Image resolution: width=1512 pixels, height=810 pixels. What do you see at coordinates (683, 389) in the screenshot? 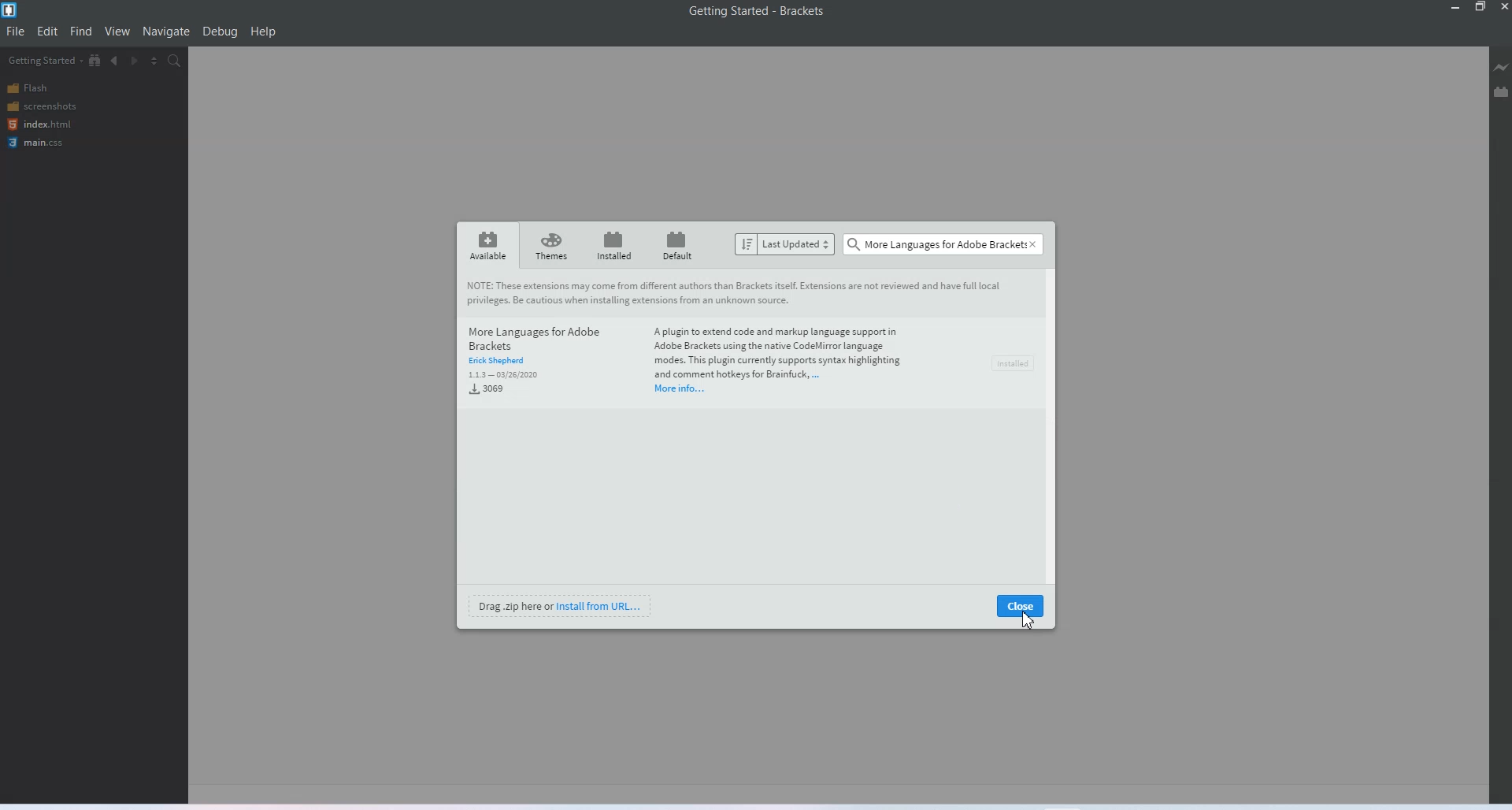
I see `More Information` at bounding box center [683, 389].